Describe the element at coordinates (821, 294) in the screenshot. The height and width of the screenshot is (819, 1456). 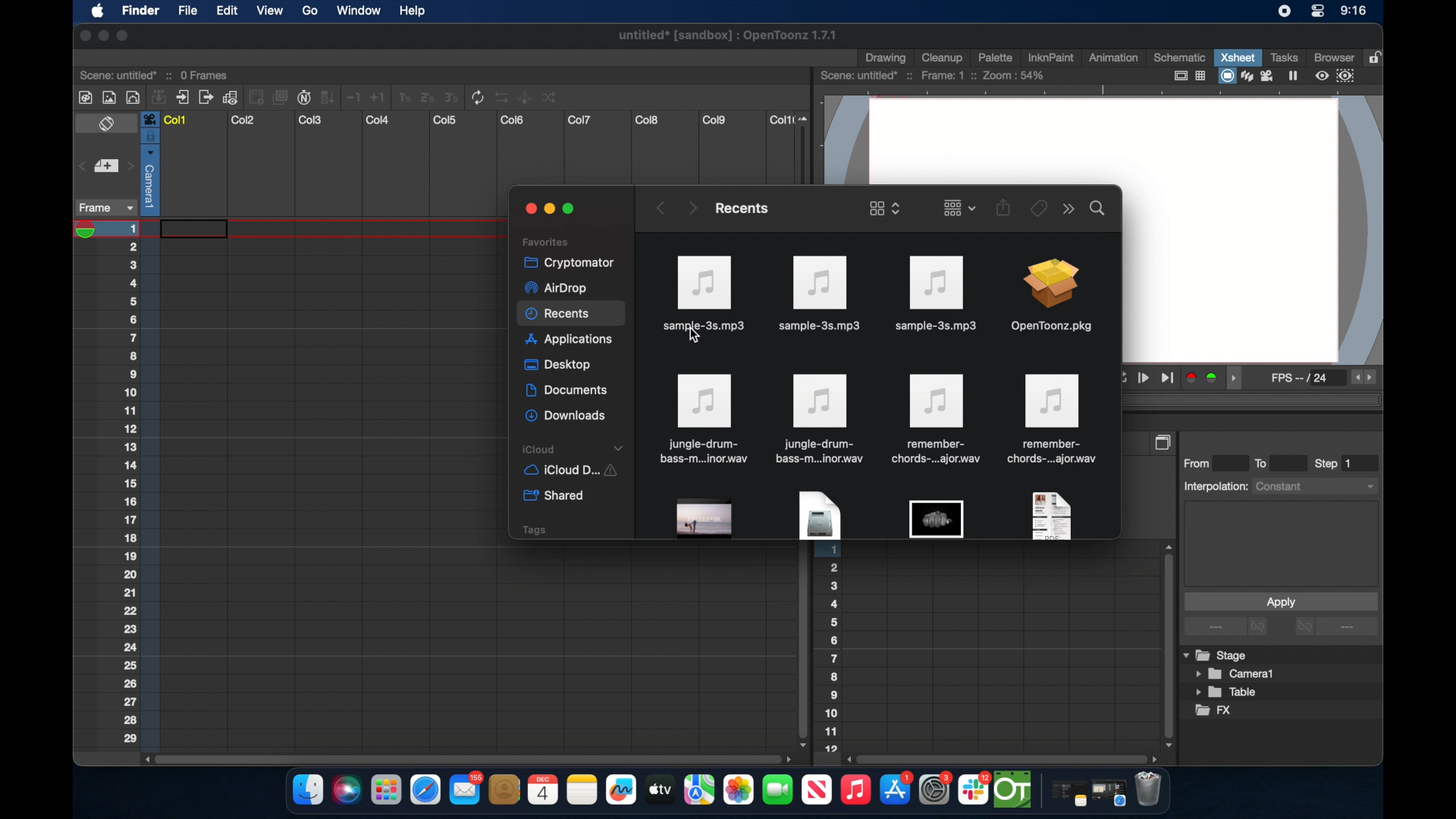
I see `mp3 icon` at that location.